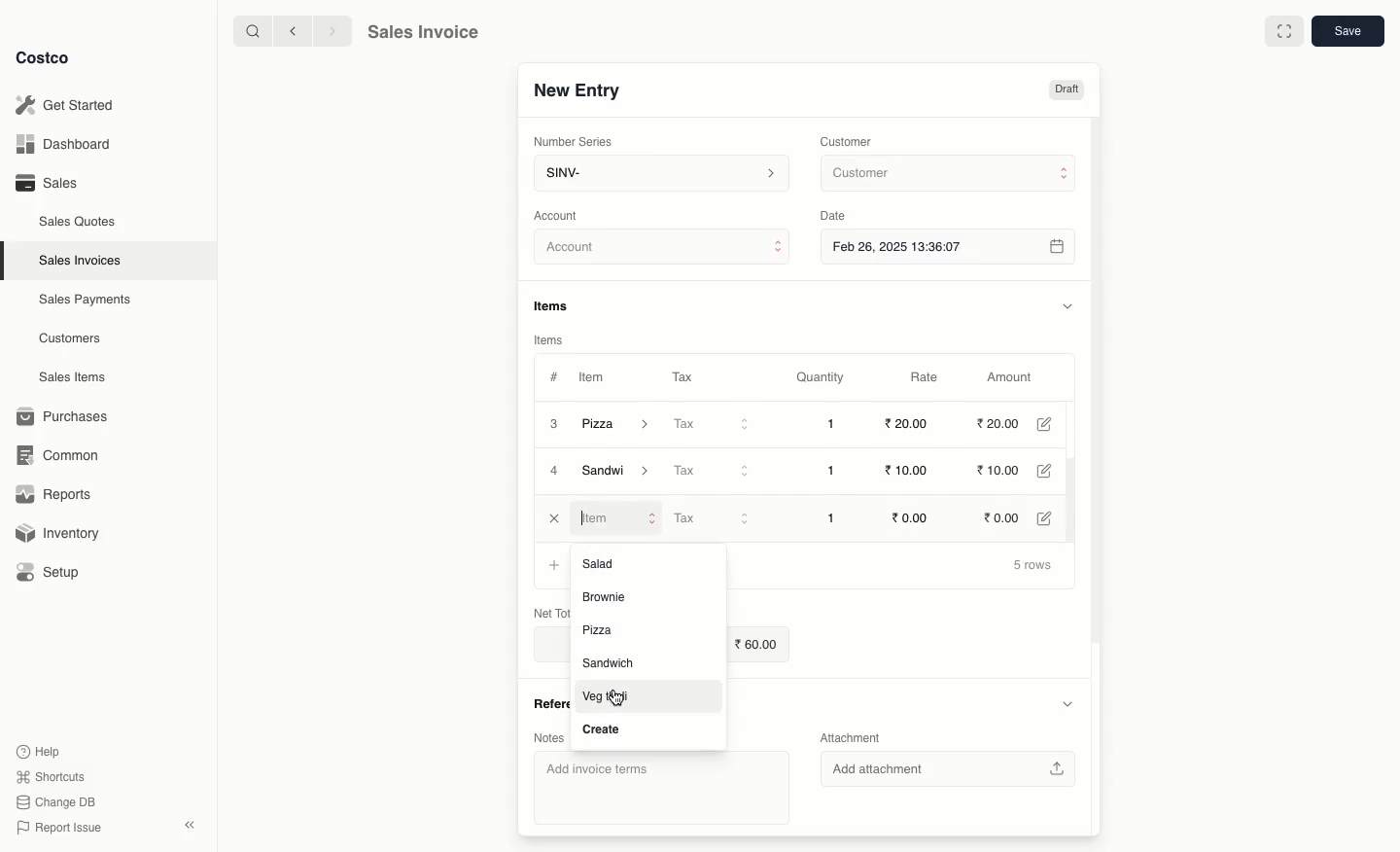  What do you see at coordinates (594, 379) in the screenshot?
I see `Item` at bounding box center [594, 379].